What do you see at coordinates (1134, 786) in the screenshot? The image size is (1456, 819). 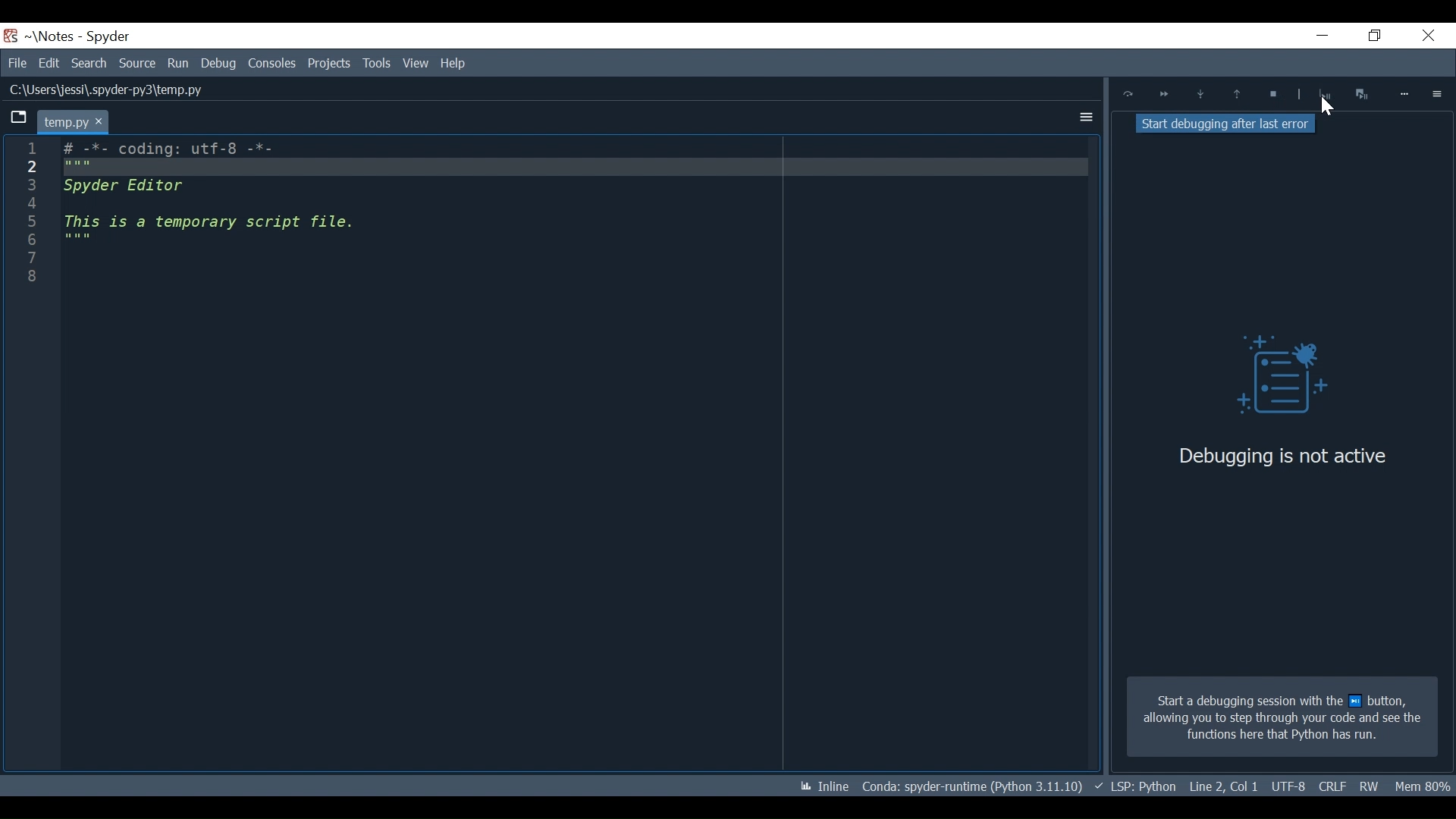 I see `Language` at bounding box center [1134, 786].